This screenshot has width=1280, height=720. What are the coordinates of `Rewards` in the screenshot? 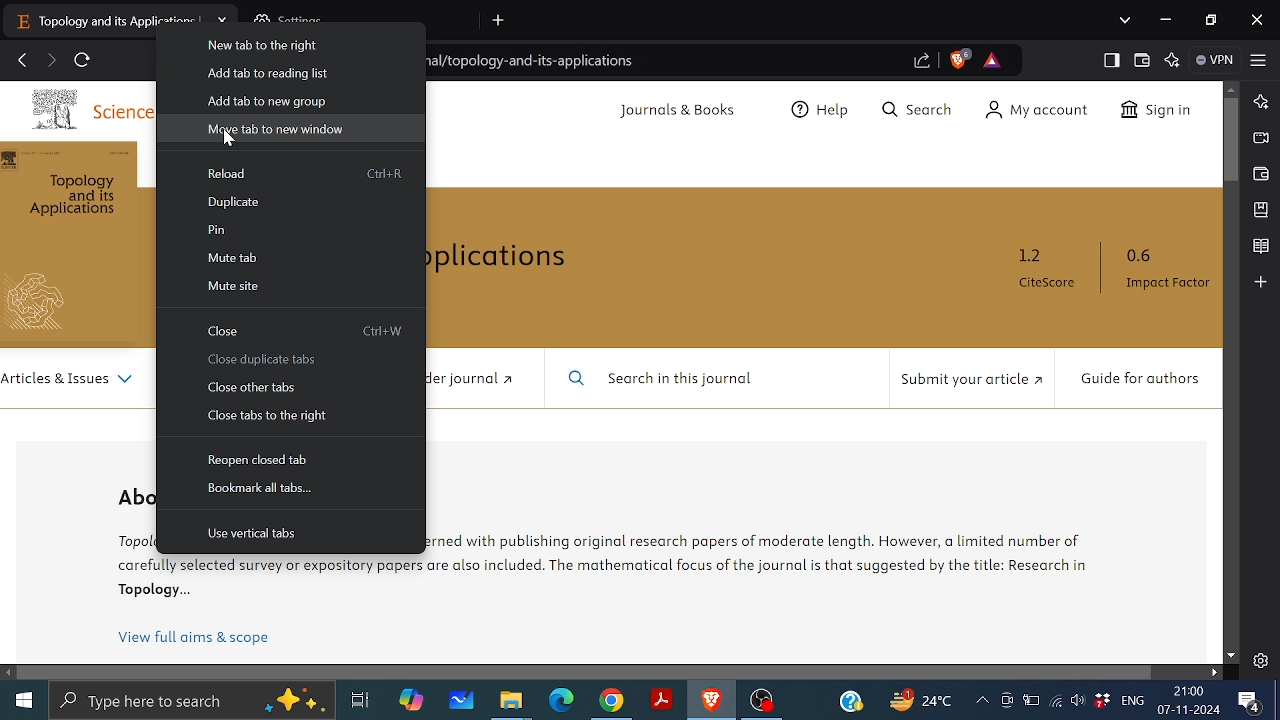 It's located at (993, 61).